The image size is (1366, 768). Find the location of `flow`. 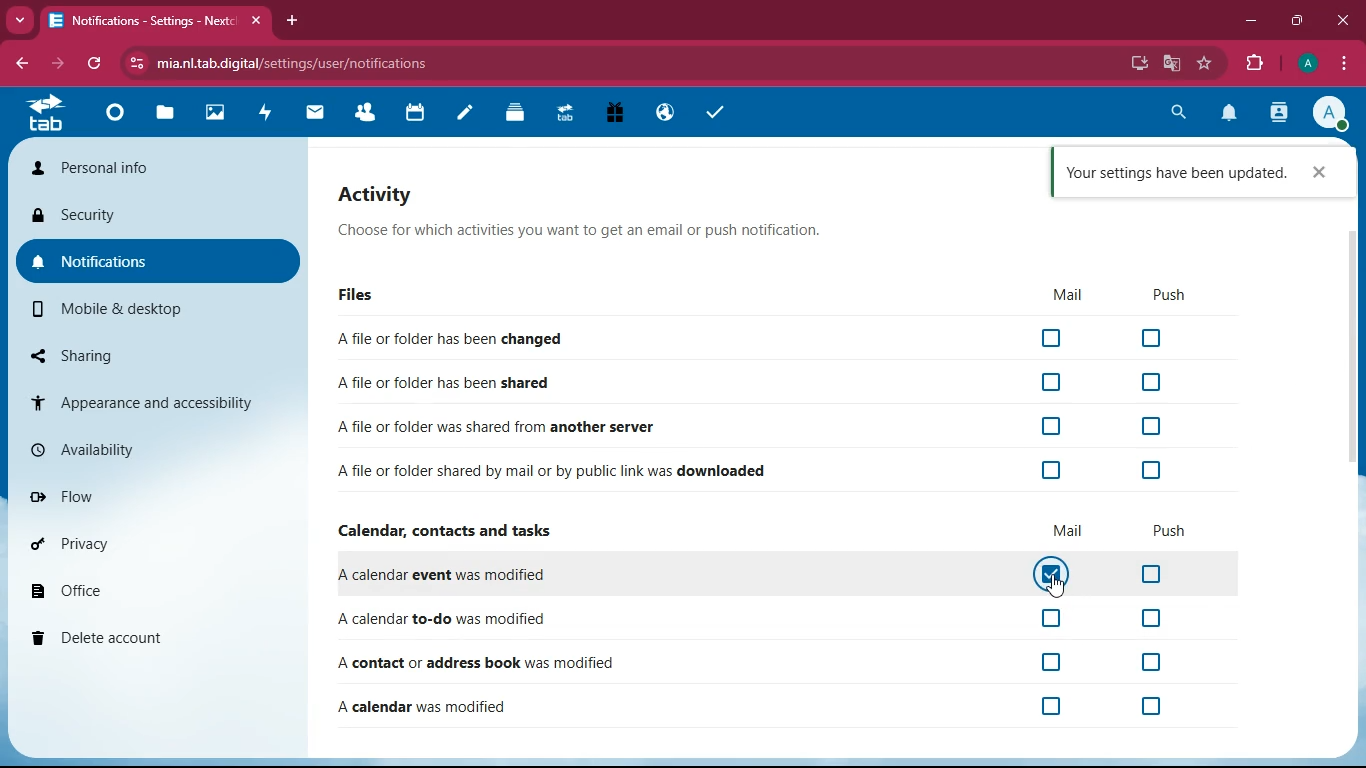

flow is located at coordinates (159, 498).